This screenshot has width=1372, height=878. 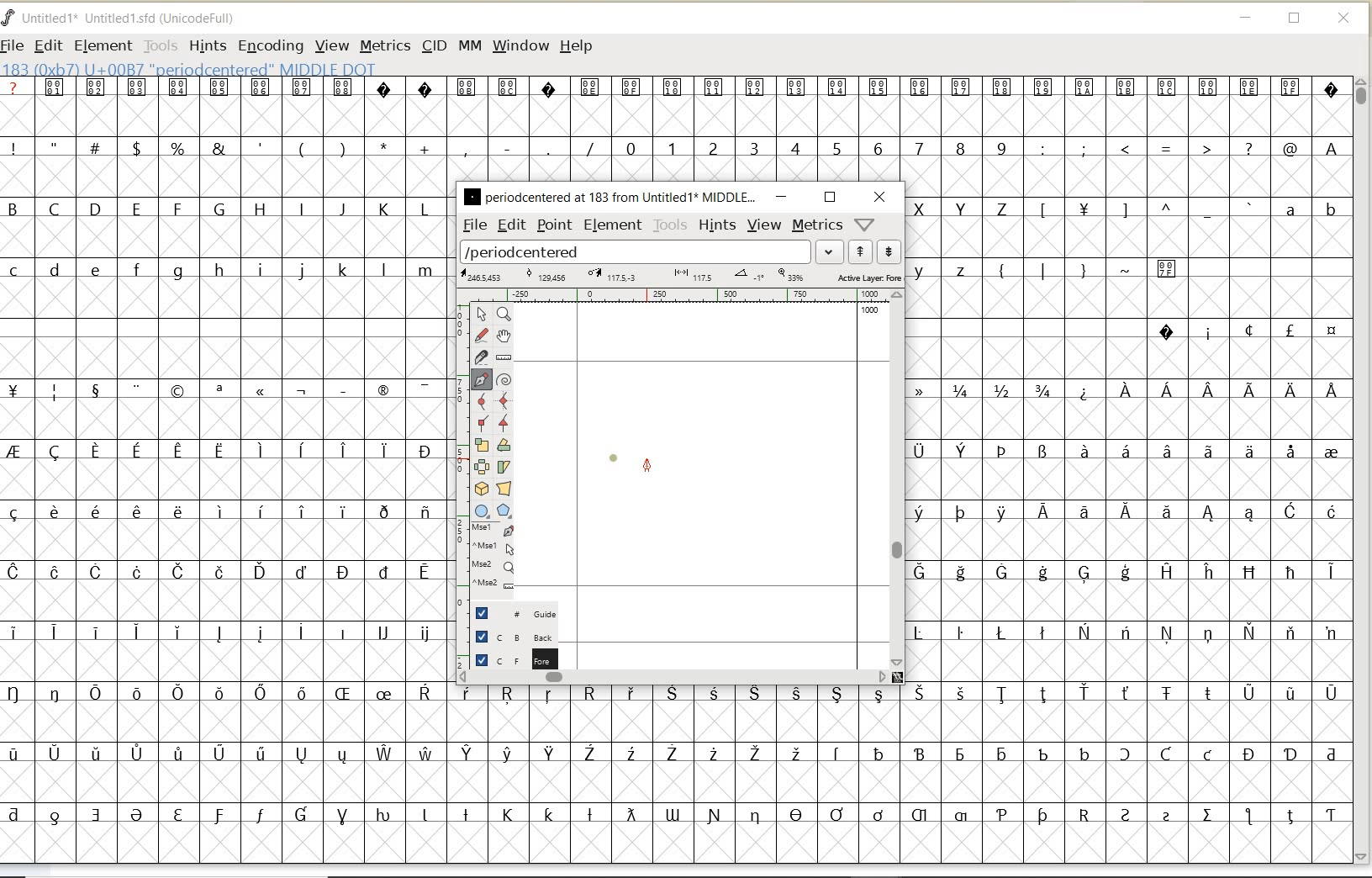 What do you see at coordinates (636, 252) in the screenshot?
I see `load word list` at bounding box center [636, 252].